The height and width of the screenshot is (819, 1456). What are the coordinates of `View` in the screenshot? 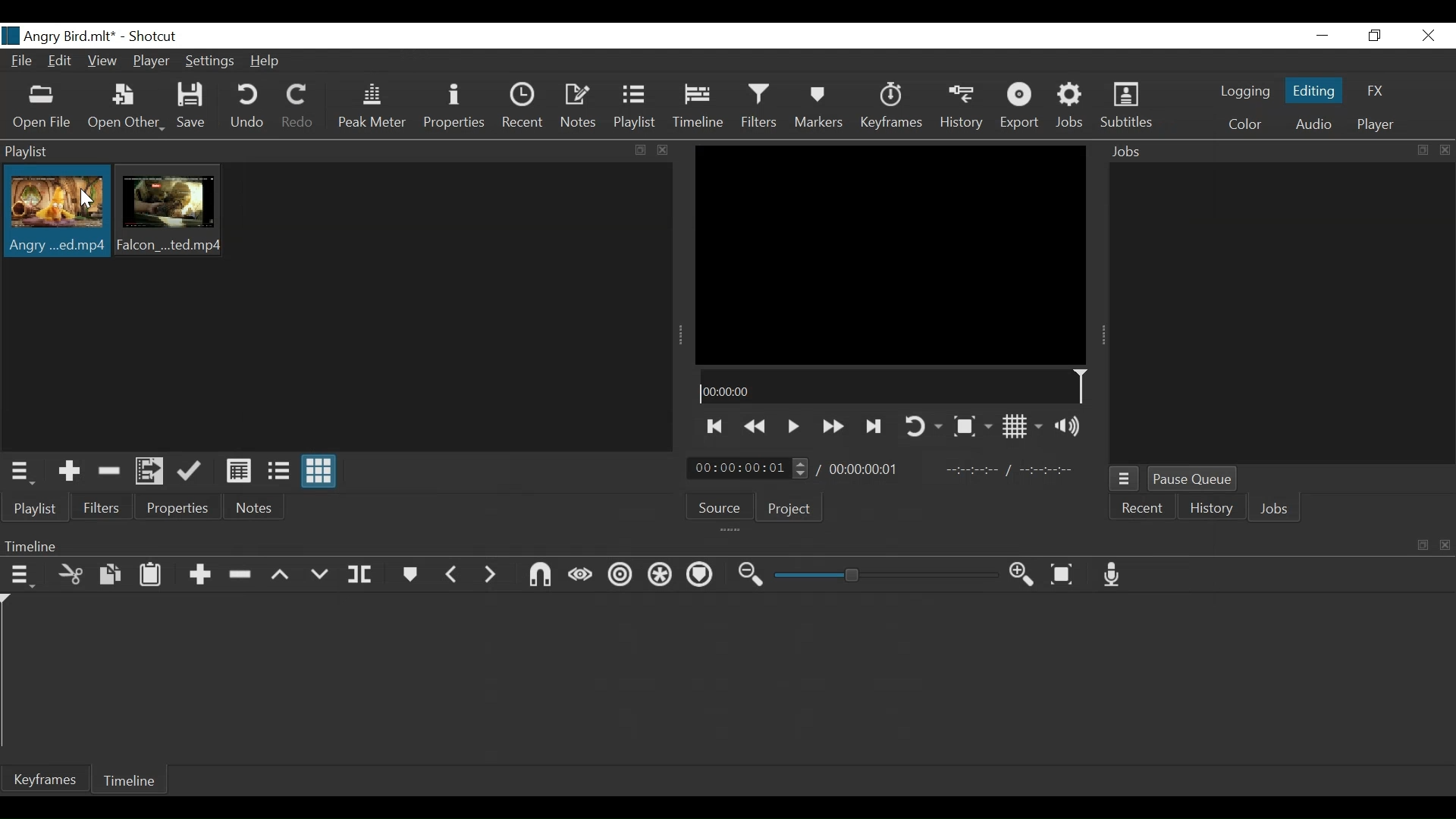 It's located at (102, 63).